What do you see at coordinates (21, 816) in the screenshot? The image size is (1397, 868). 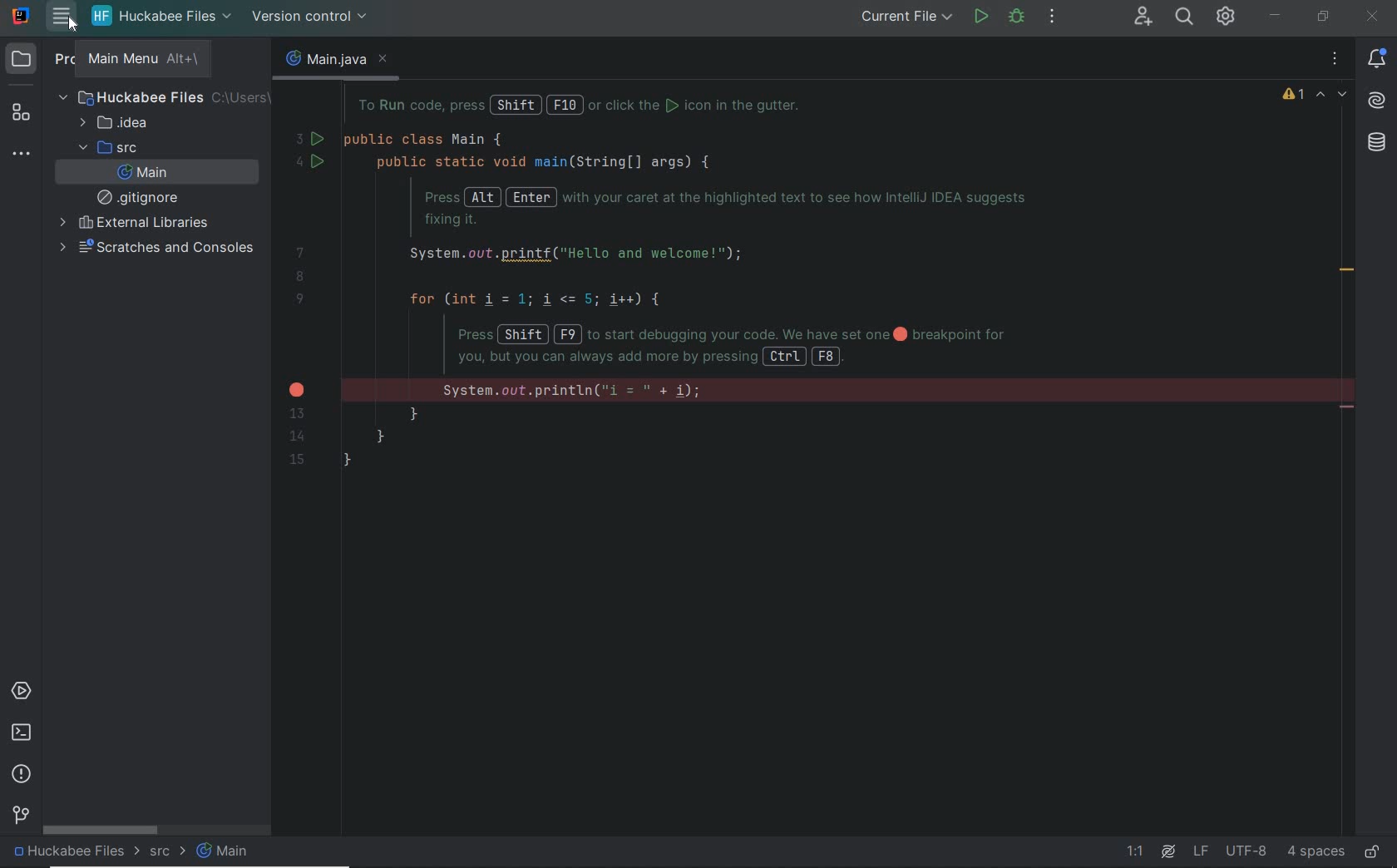 I see `version control` at bounding box center [21, 816].